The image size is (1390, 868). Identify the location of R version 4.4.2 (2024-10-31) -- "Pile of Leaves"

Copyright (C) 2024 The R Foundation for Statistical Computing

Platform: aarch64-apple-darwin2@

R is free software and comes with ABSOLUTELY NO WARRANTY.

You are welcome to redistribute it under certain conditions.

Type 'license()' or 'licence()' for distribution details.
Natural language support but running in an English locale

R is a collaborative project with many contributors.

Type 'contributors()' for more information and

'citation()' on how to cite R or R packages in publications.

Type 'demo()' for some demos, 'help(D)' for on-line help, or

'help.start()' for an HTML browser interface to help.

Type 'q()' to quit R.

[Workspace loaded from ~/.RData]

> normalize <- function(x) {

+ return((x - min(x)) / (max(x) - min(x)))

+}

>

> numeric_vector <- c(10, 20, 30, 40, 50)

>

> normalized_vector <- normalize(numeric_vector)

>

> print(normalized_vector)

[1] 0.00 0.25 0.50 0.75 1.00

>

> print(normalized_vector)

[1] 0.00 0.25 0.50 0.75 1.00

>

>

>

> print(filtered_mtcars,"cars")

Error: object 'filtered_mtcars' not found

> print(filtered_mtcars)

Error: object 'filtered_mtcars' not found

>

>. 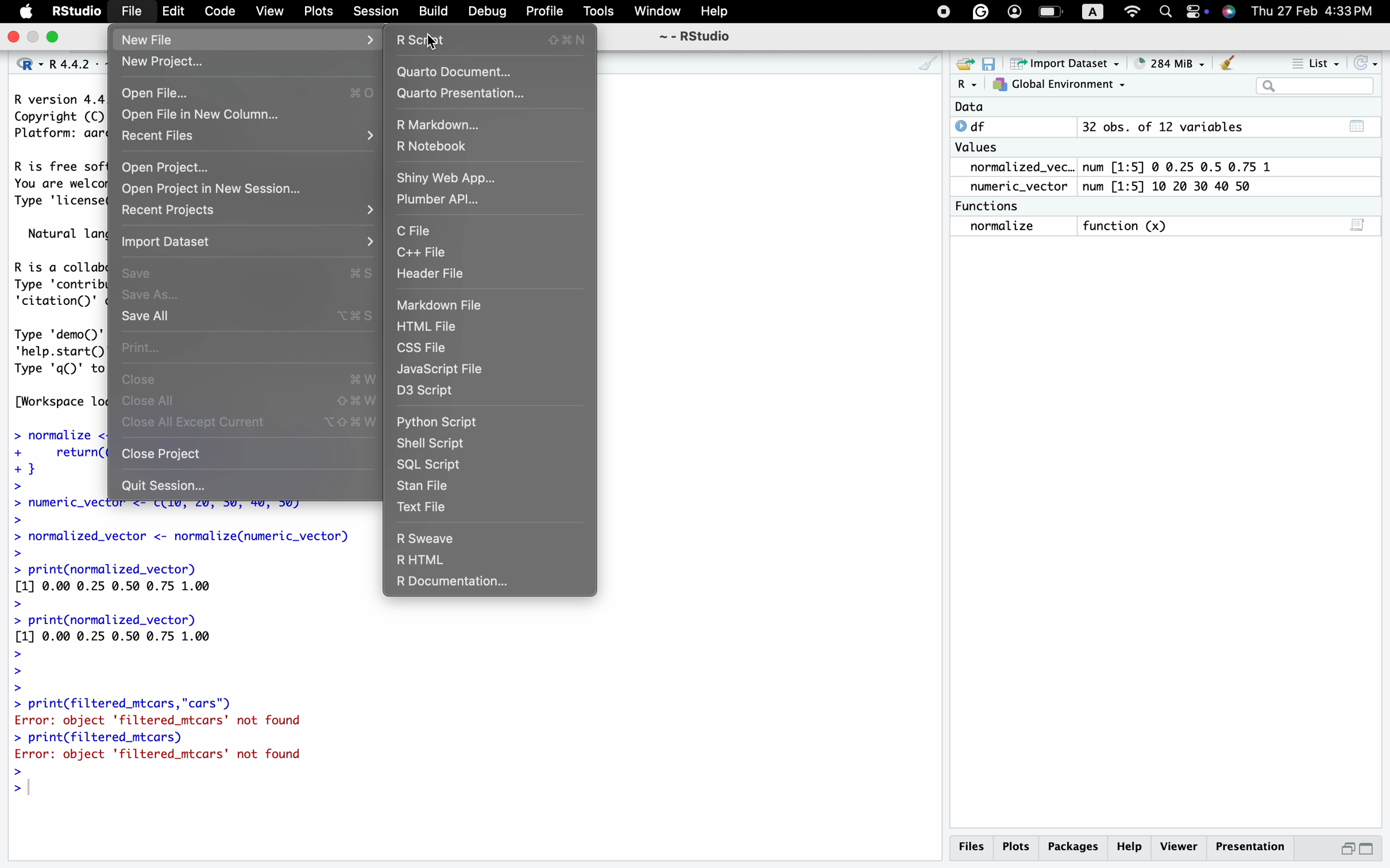
(177, 653).